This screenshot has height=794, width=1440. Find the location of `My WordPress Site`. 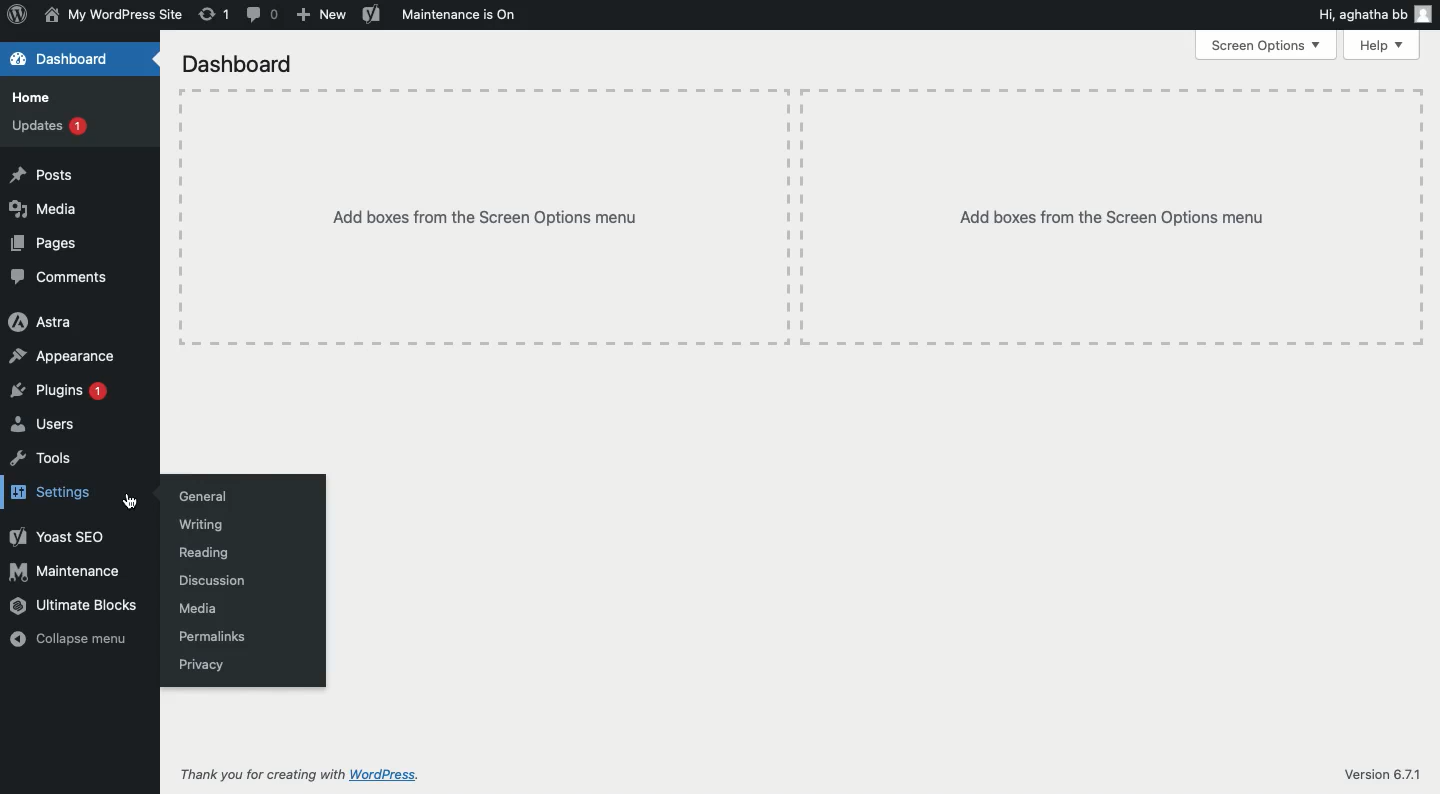

My WordPress Site is located at coordinates (111, 14).